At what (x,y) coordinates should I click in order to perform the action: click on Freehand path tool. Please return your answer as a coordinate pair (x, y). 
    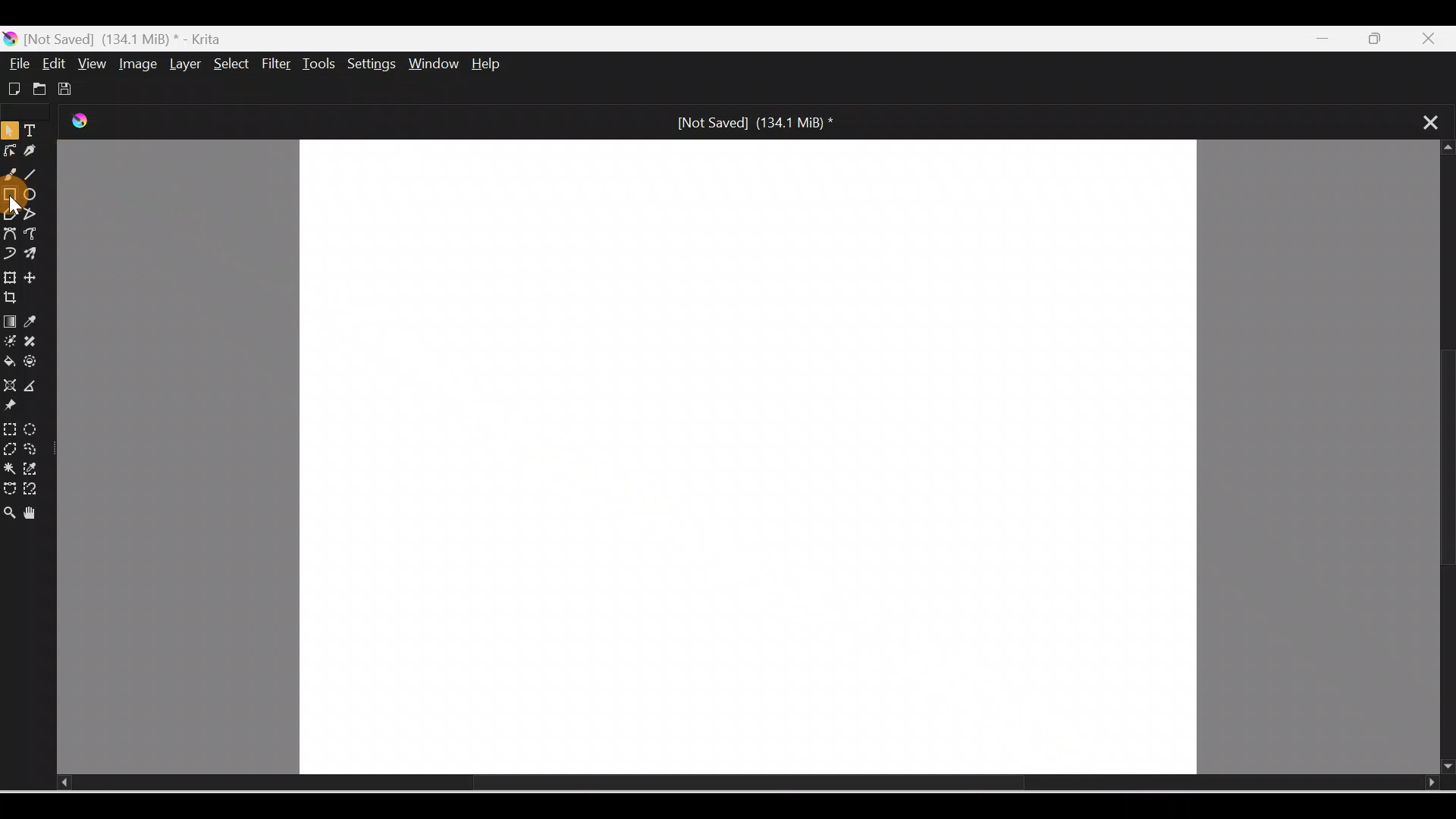
    Looking at the image, I should click on (35, 235).